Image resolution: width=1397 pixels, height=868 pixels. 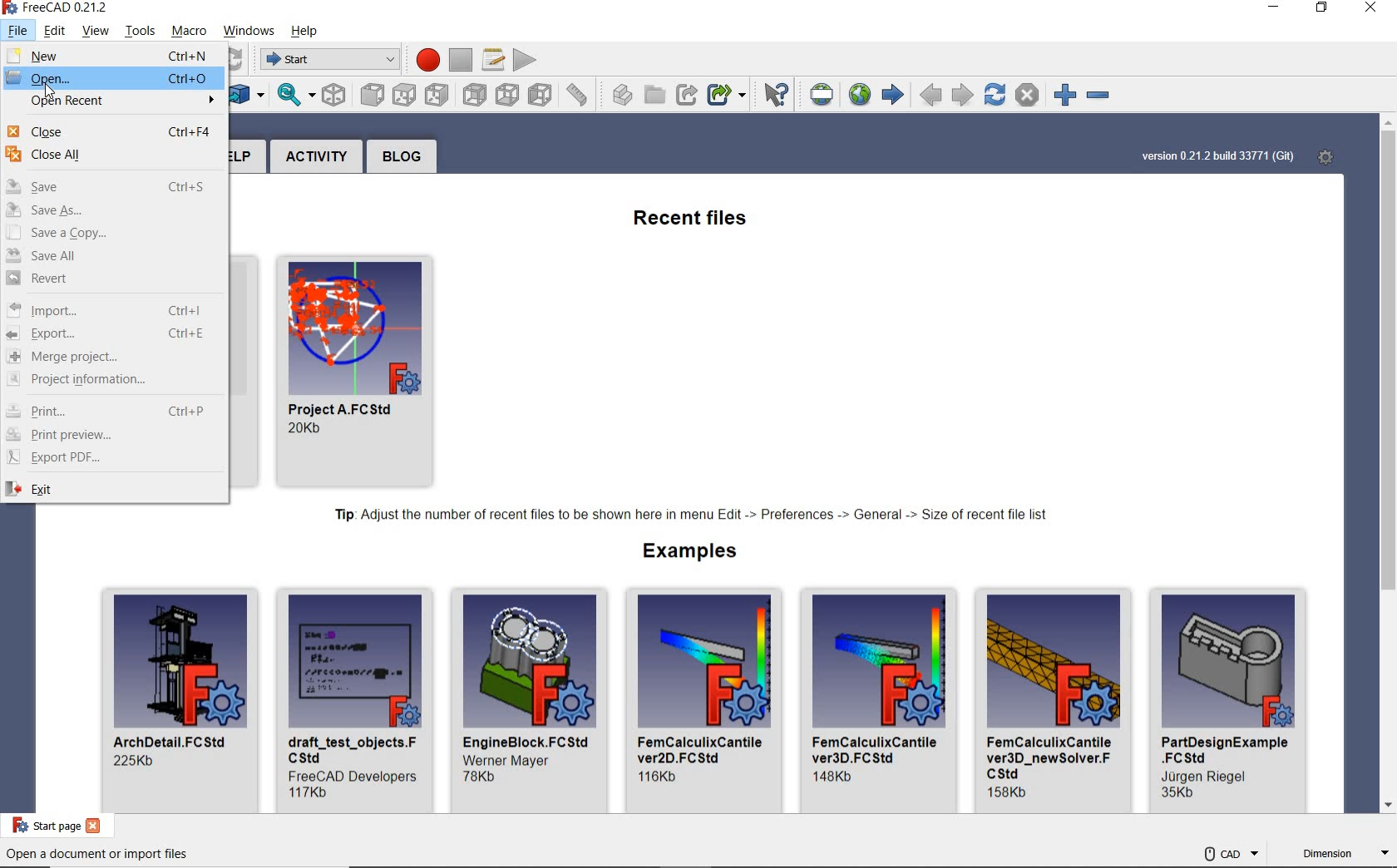 I want to click on SAVE ALL, so click(x=112, y=257).